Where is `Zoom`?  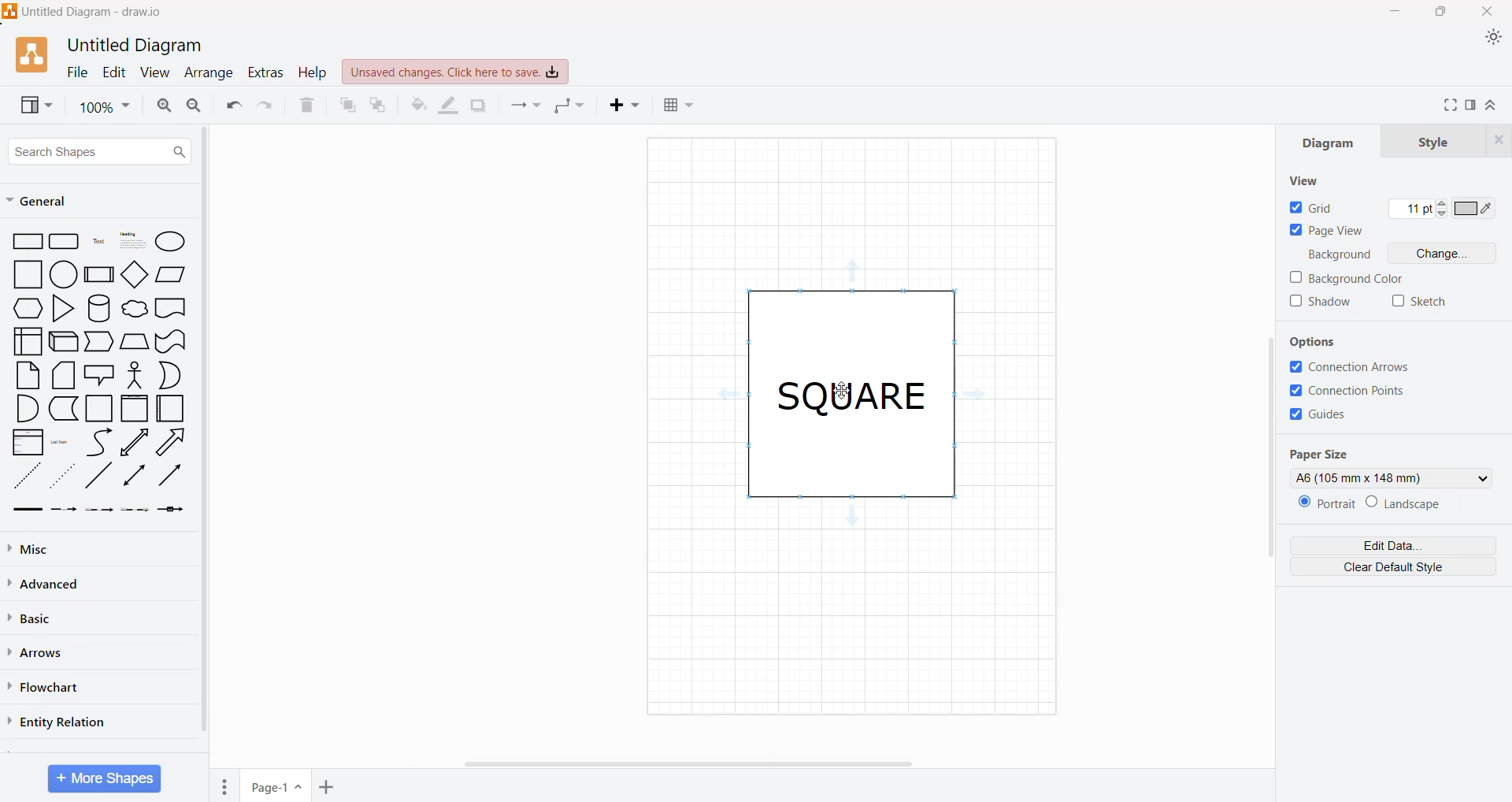
Zoom is located at coordinates (109, 107).